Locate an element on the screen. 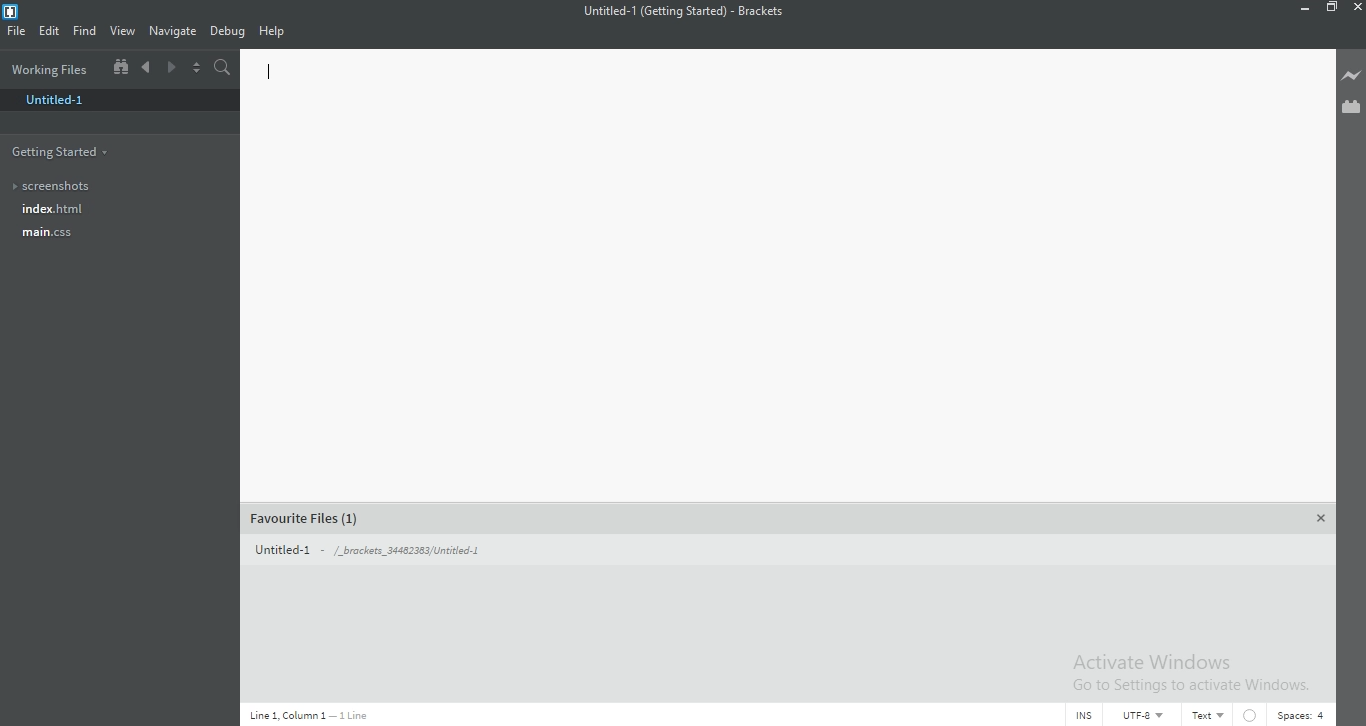 This screenshot has width=1366, height=726. Help is located at coordinates (275, 33).